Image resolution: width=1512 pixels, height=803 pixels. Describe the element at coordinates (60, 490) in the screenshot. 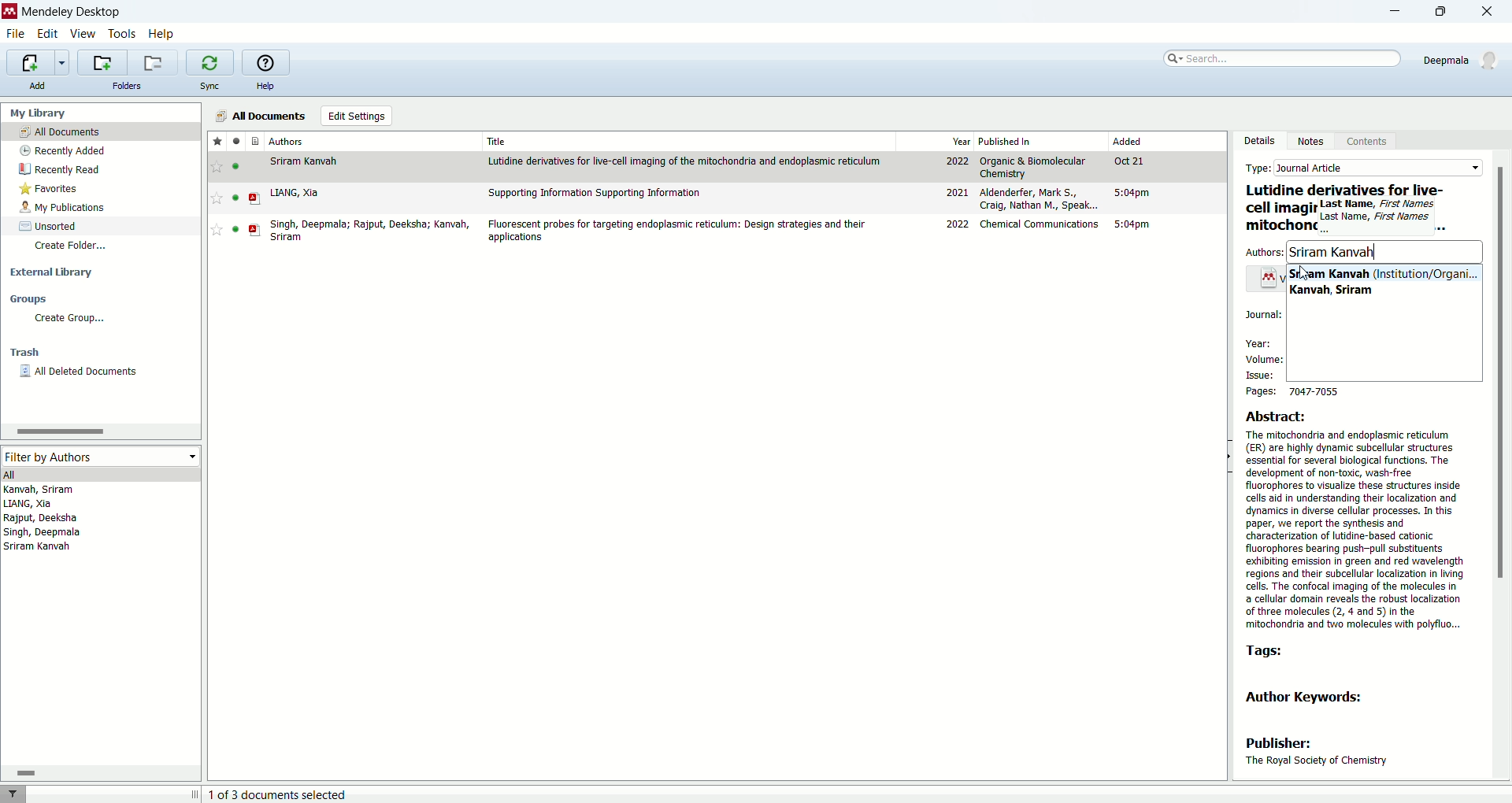

I see `Kanvah, Sriram` at that location.